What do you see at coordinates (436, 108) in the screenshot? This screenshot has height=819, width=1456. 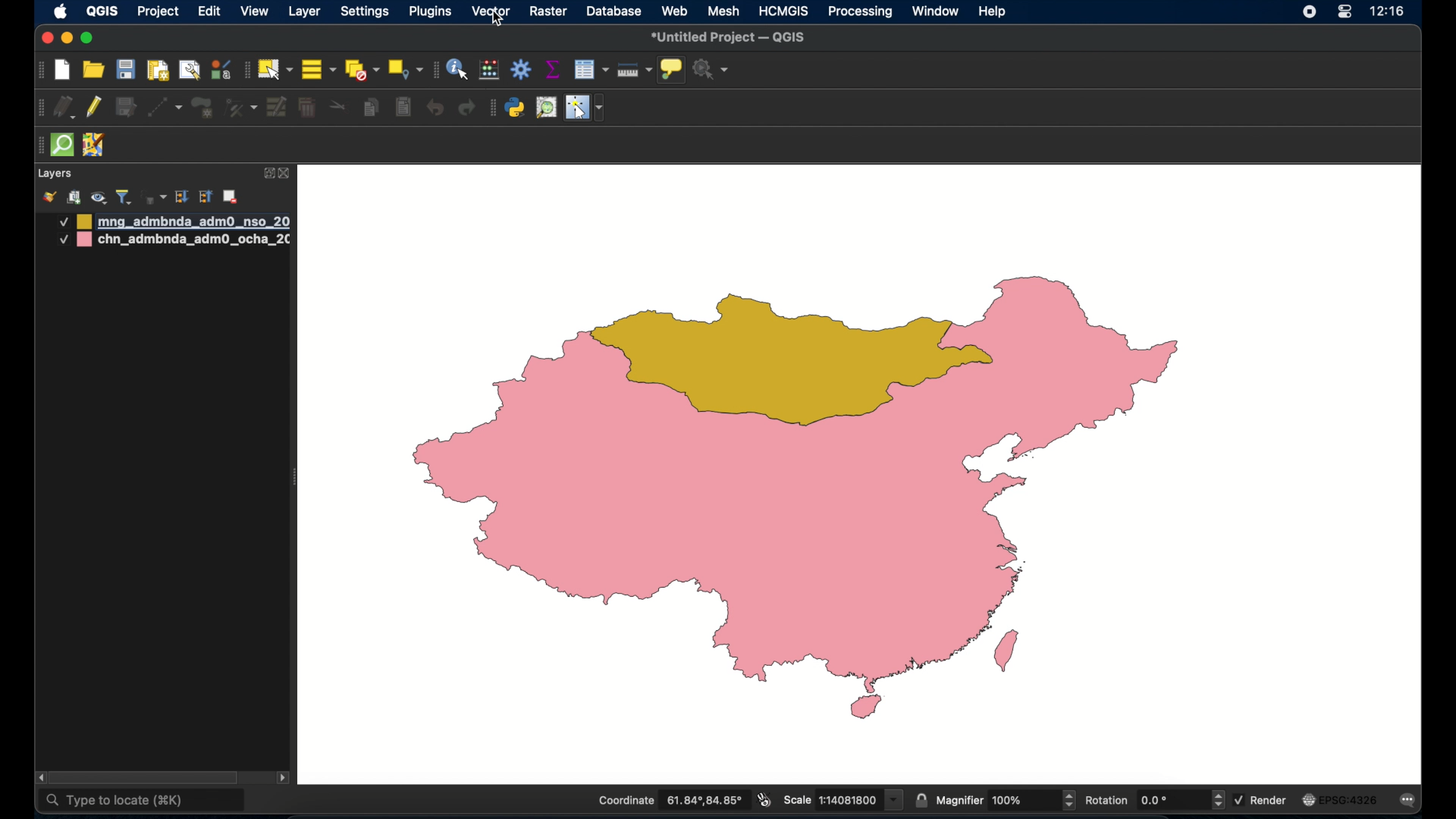 I see `undo` at bounding box center [436, 108].